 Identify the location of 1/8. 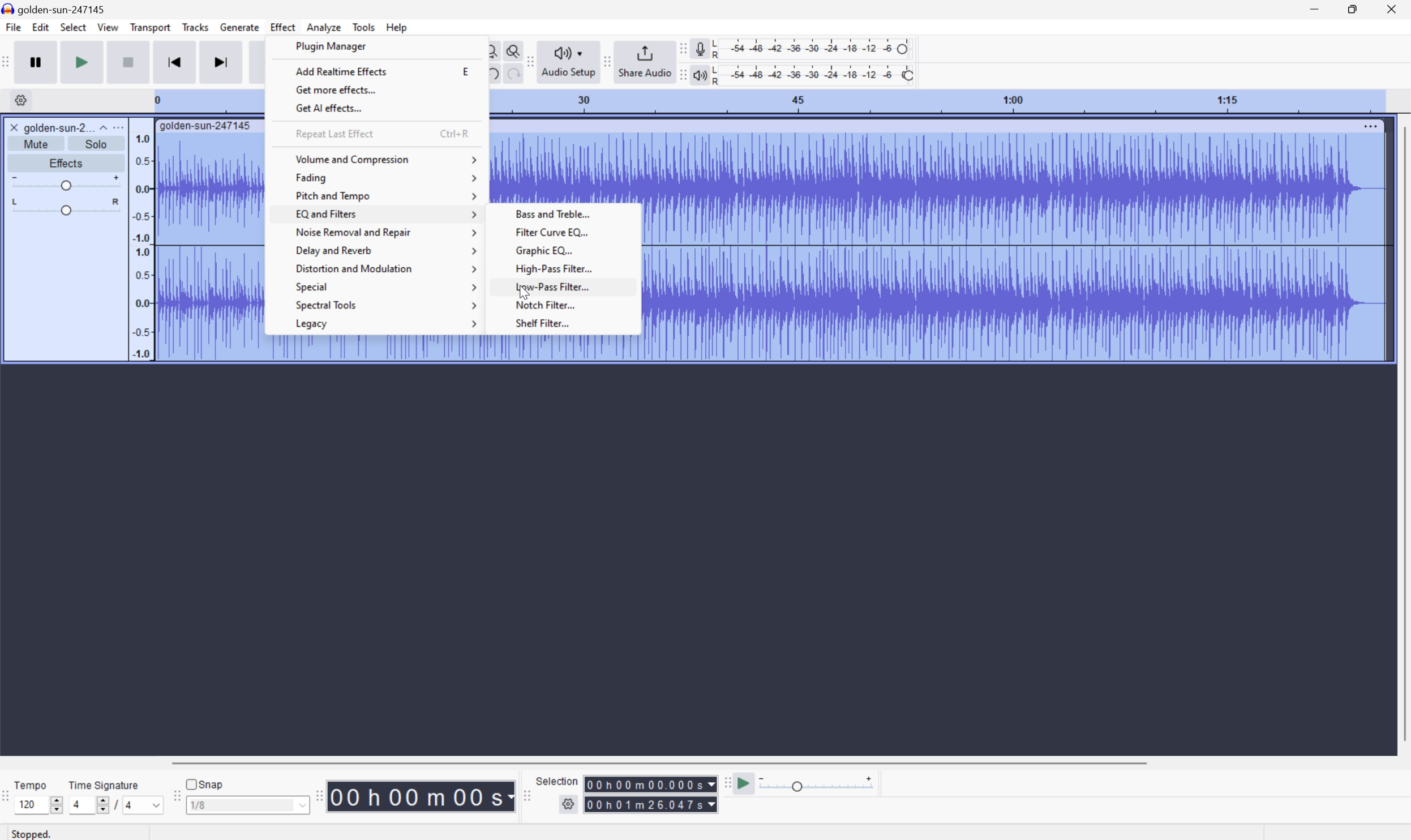
(247, 804).